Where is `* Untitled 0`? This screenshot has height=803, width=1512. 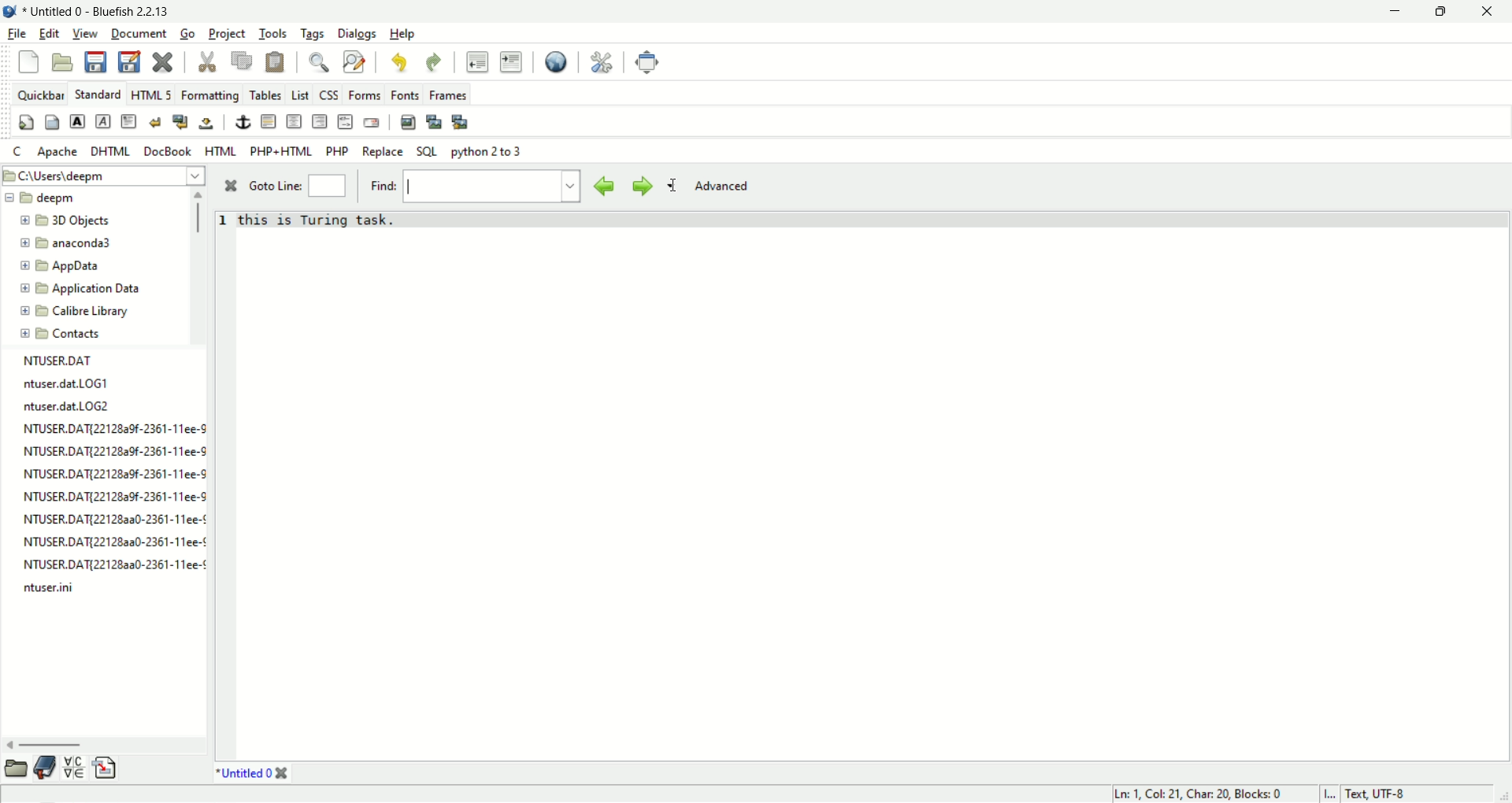
* Untitled 0 is located at coordinates (243, 775).